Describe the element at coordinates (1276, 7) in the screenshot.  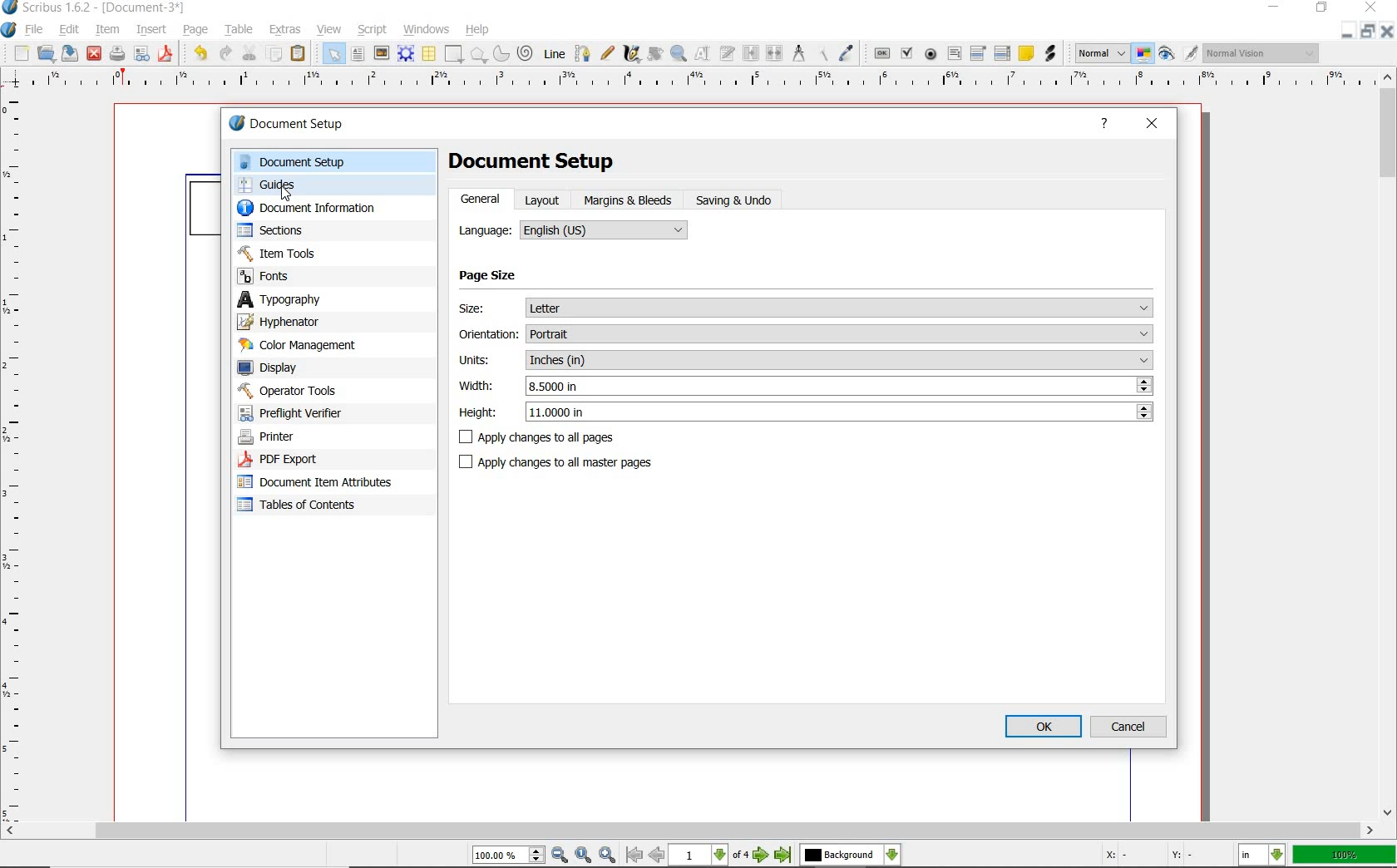
I see `minimize` at that location.